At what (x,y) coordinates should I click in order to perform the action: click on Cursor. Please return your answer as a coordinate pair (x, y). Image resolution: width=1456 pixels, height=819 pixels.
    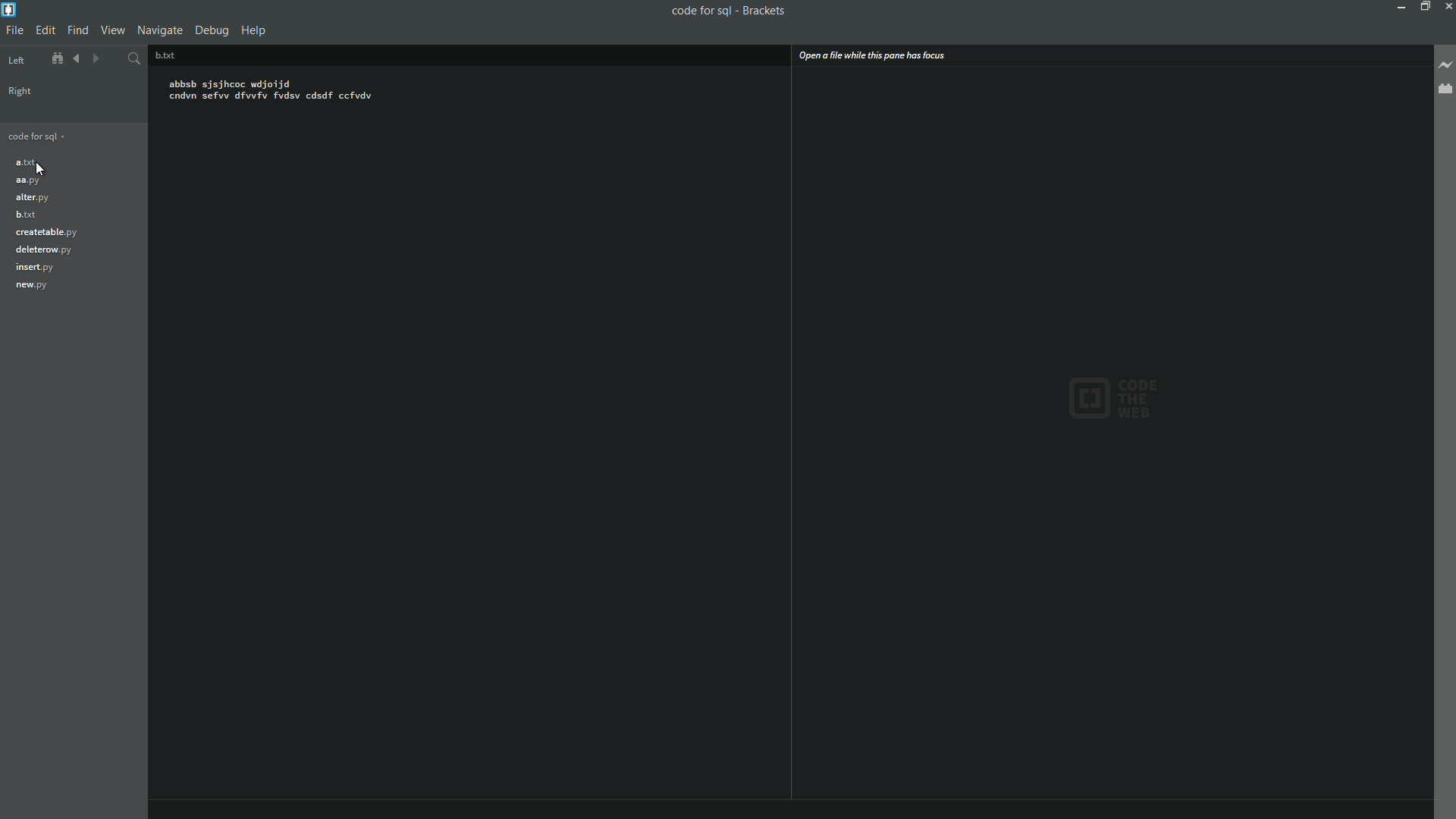
    Looking at the image, I should click on (44, 171).